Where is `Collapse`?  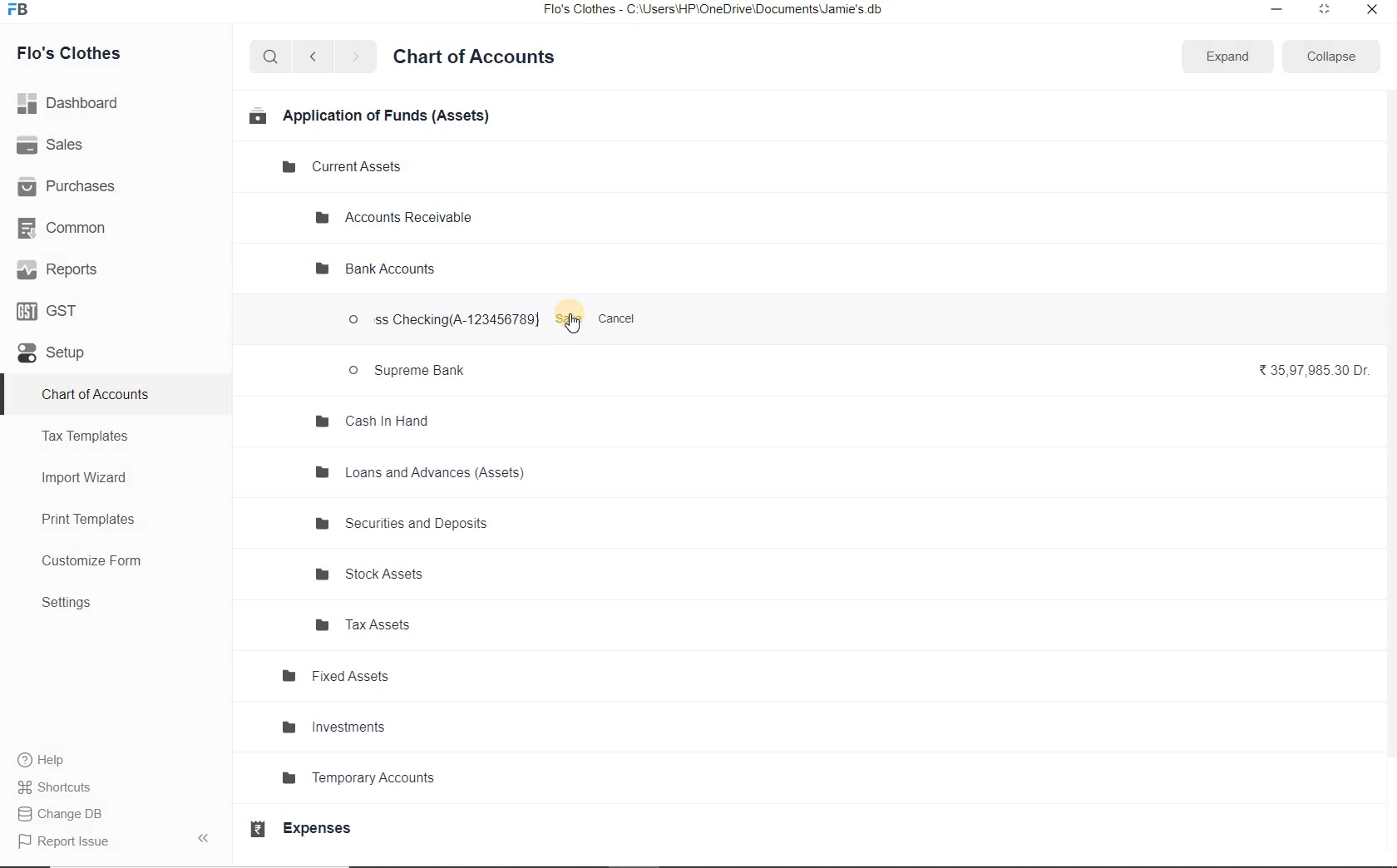 Collapse is located at coordinates (1330, 56).